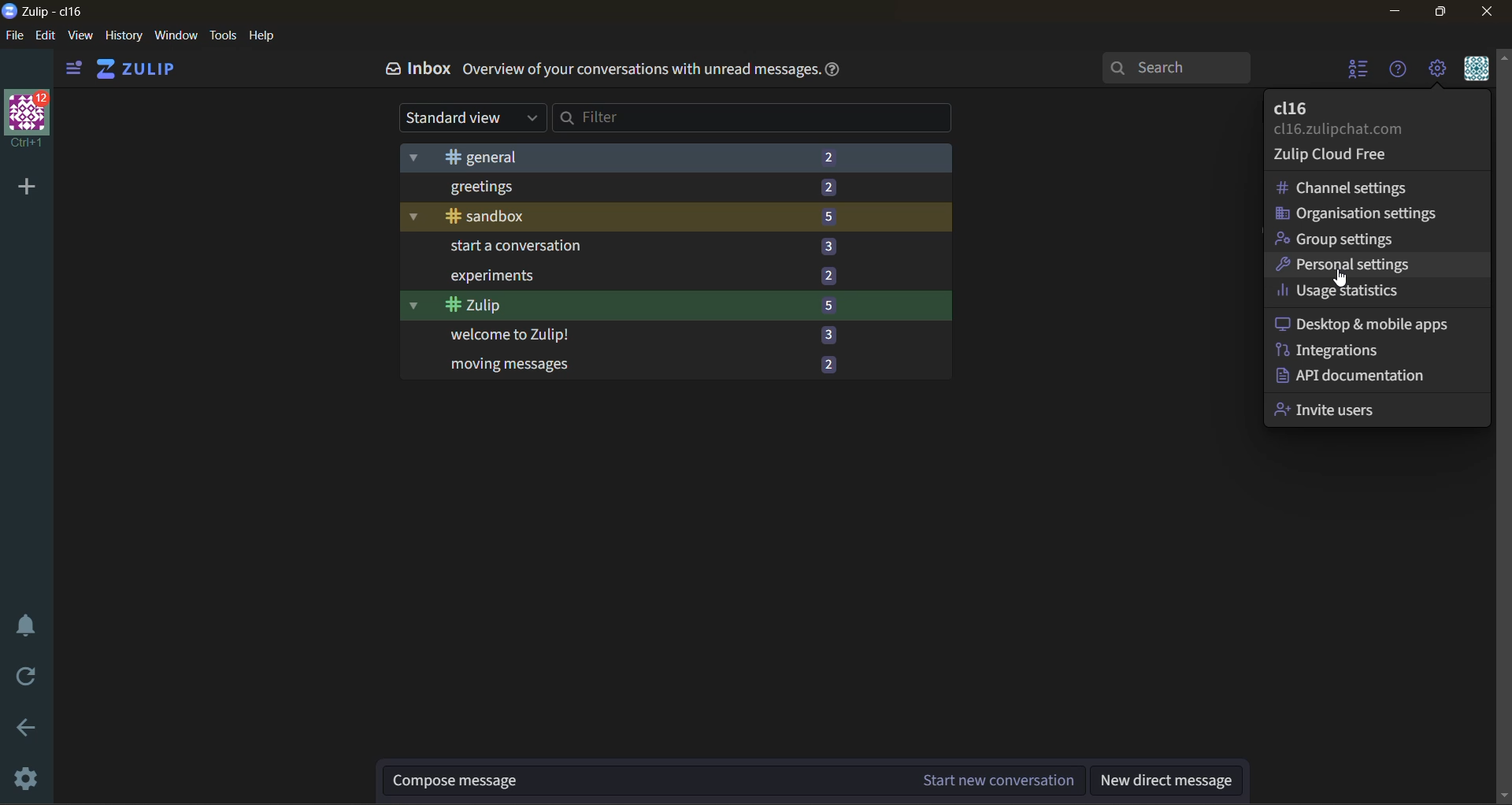  I want to click on reload, so click(20, 678).